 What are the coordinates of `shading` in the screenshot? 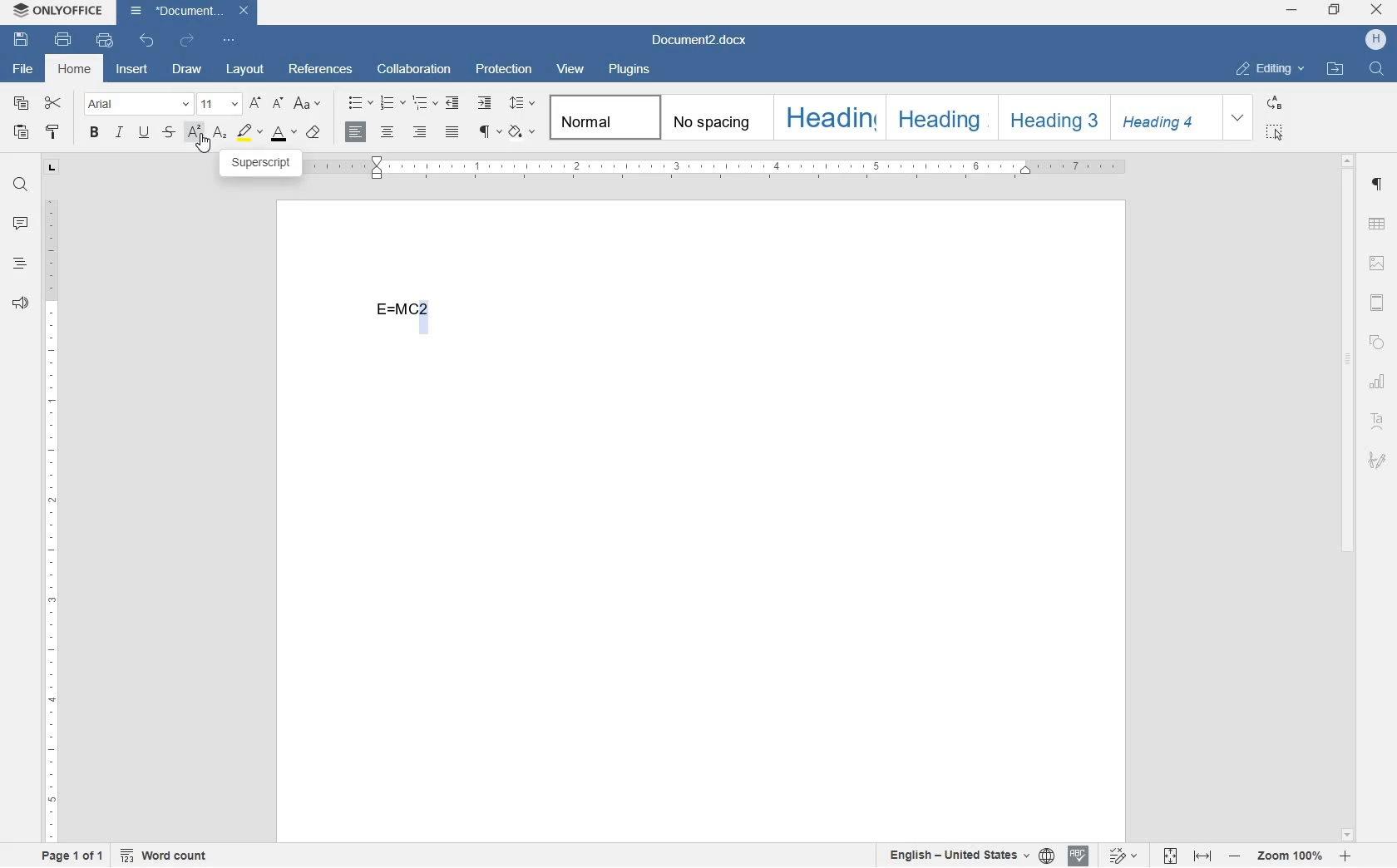 It's located at (520, 132).